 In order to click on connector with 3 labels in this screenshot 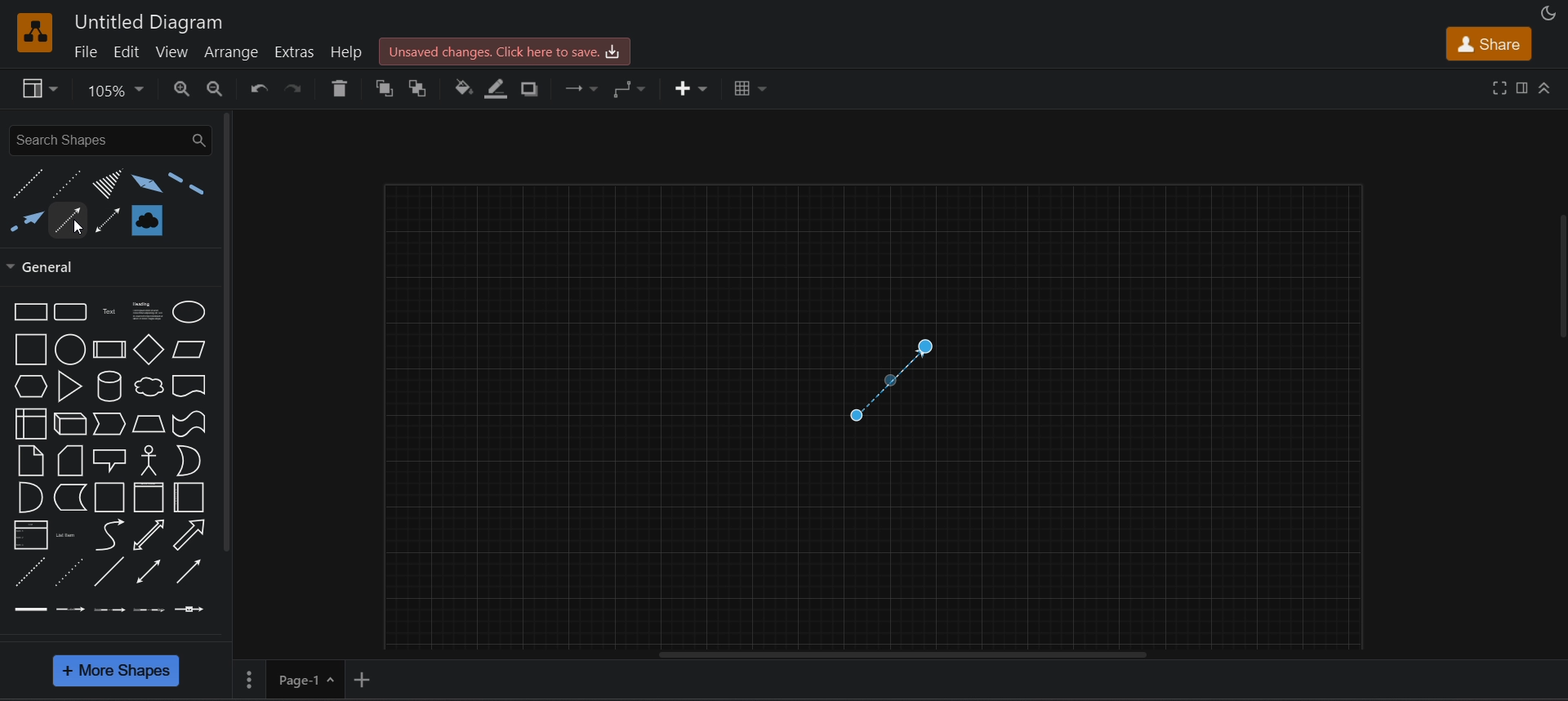, I will do `click(148, 609)`.